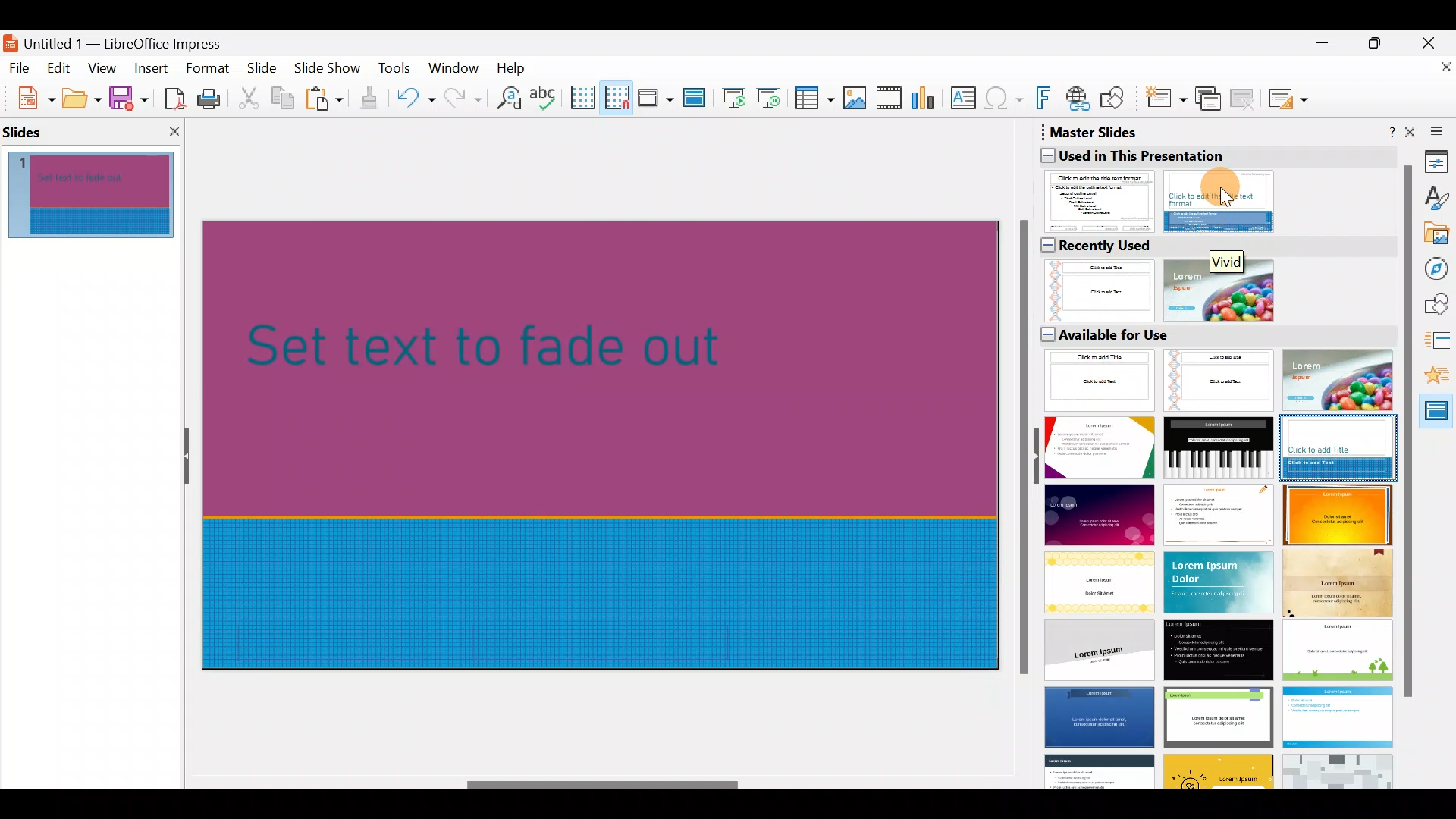 The image size is (1456, 819). Describe the element at coordinates (1006, 100) in the screenshot. I see `Insert special characters` at that location.